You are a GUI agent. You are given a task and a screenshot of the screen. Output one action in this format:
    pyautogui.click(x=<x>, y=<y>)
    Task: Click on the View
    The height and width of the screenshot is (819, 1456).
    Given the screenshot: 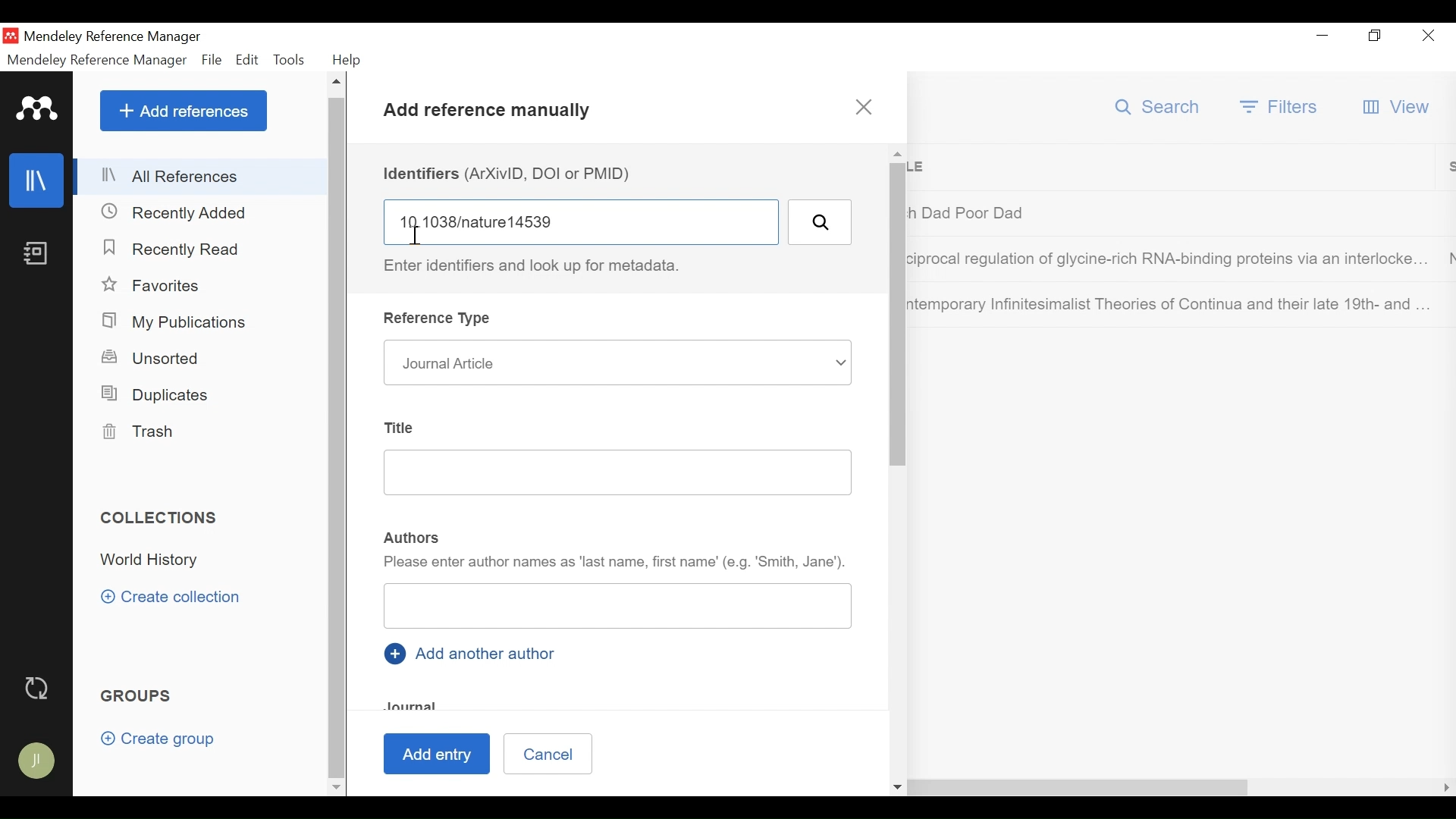 What is the action you would take?
    pyautogui.click(x=1398, y=108)
    